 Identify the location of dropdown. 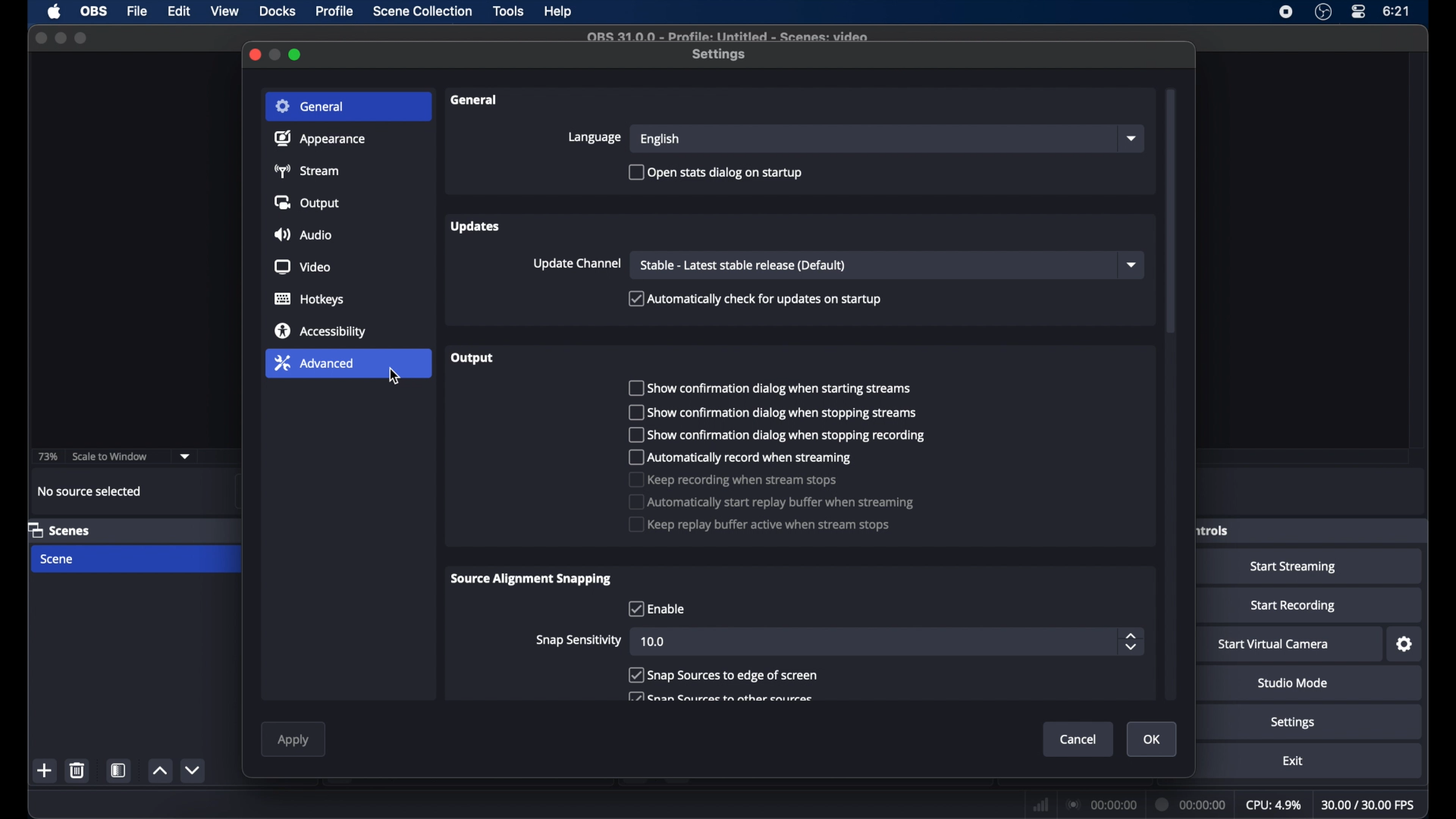
(1131, 139).